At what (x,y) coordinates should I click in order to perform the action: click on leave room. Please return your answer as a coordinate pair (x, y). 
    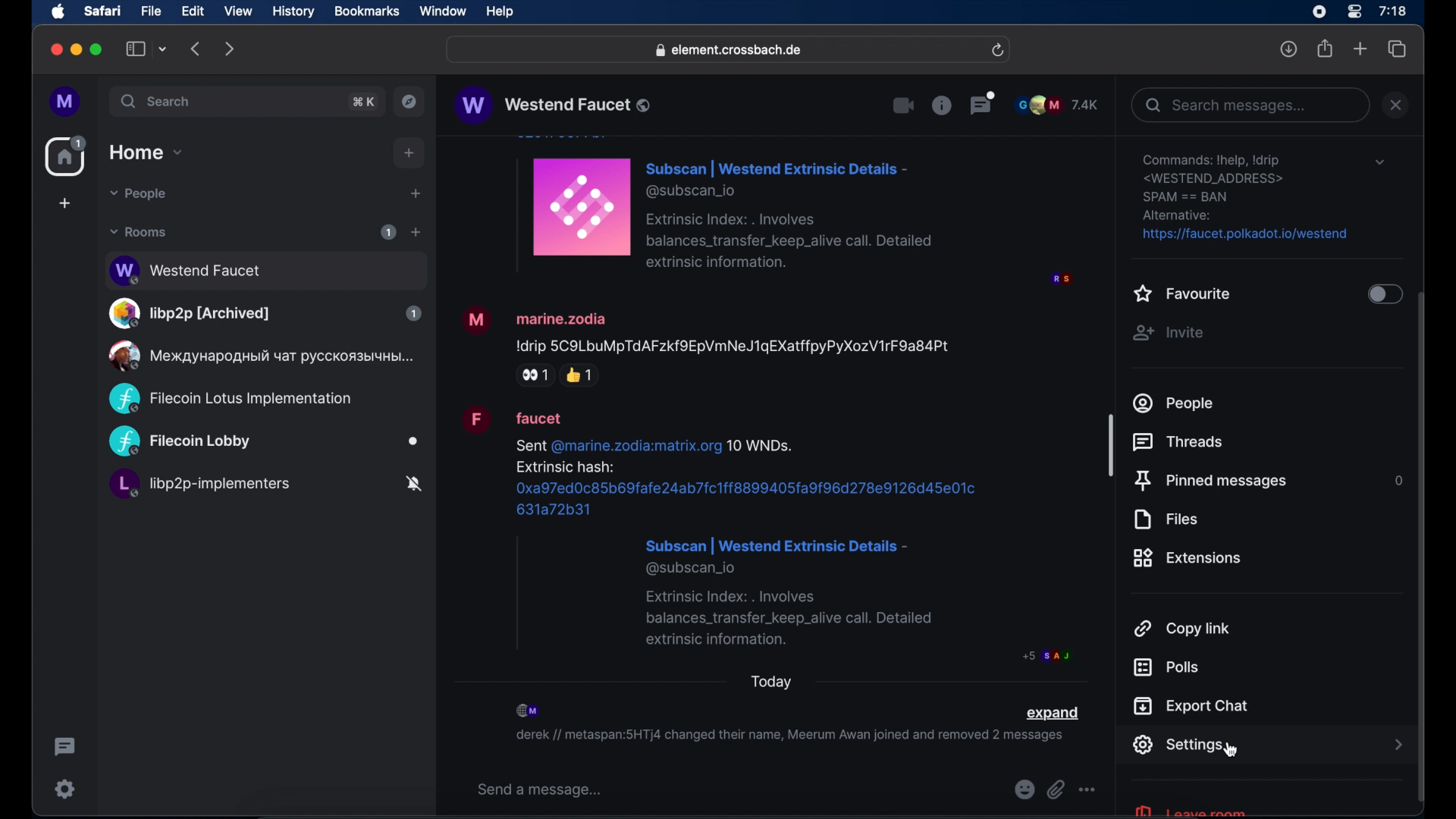
    Looking at the image, I should click on (1189, 809).